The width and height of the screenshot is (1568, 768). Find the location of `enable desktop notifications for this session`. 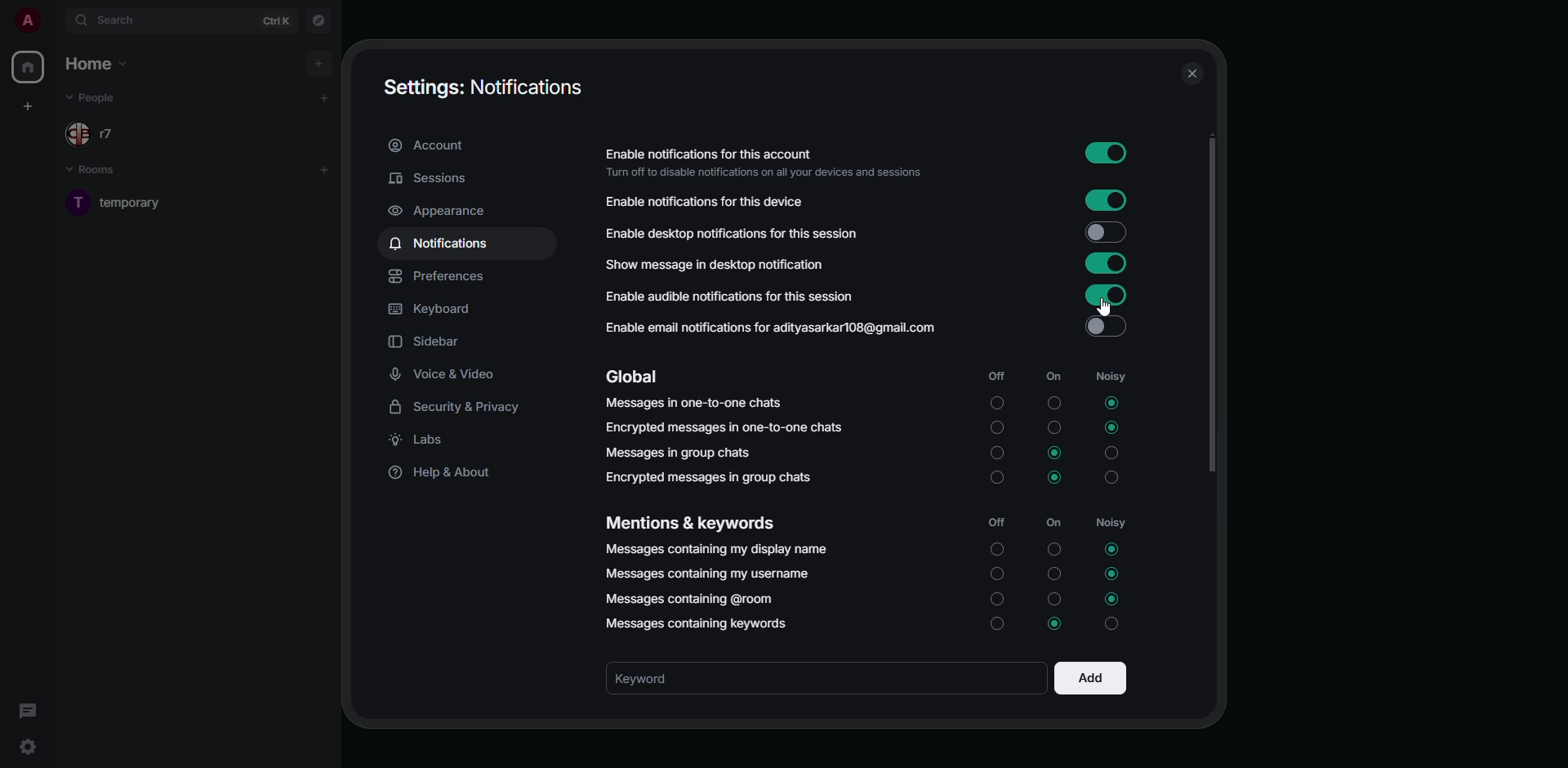

enable desktop notifications for this session is located at coordinates (742, 233).